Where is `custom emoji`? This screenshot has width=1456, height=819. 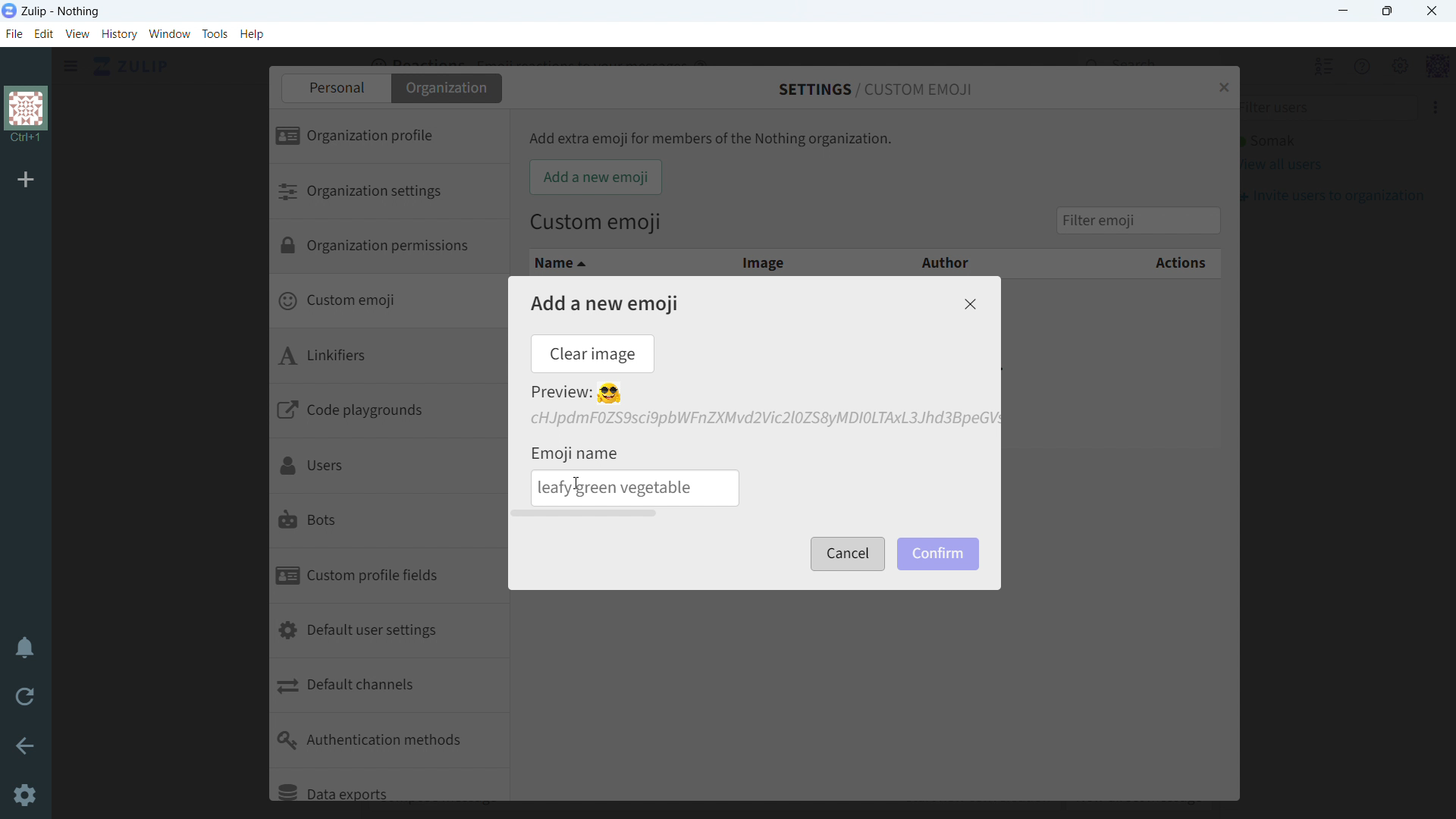
custom emoji is located at coordinates (387, 303).